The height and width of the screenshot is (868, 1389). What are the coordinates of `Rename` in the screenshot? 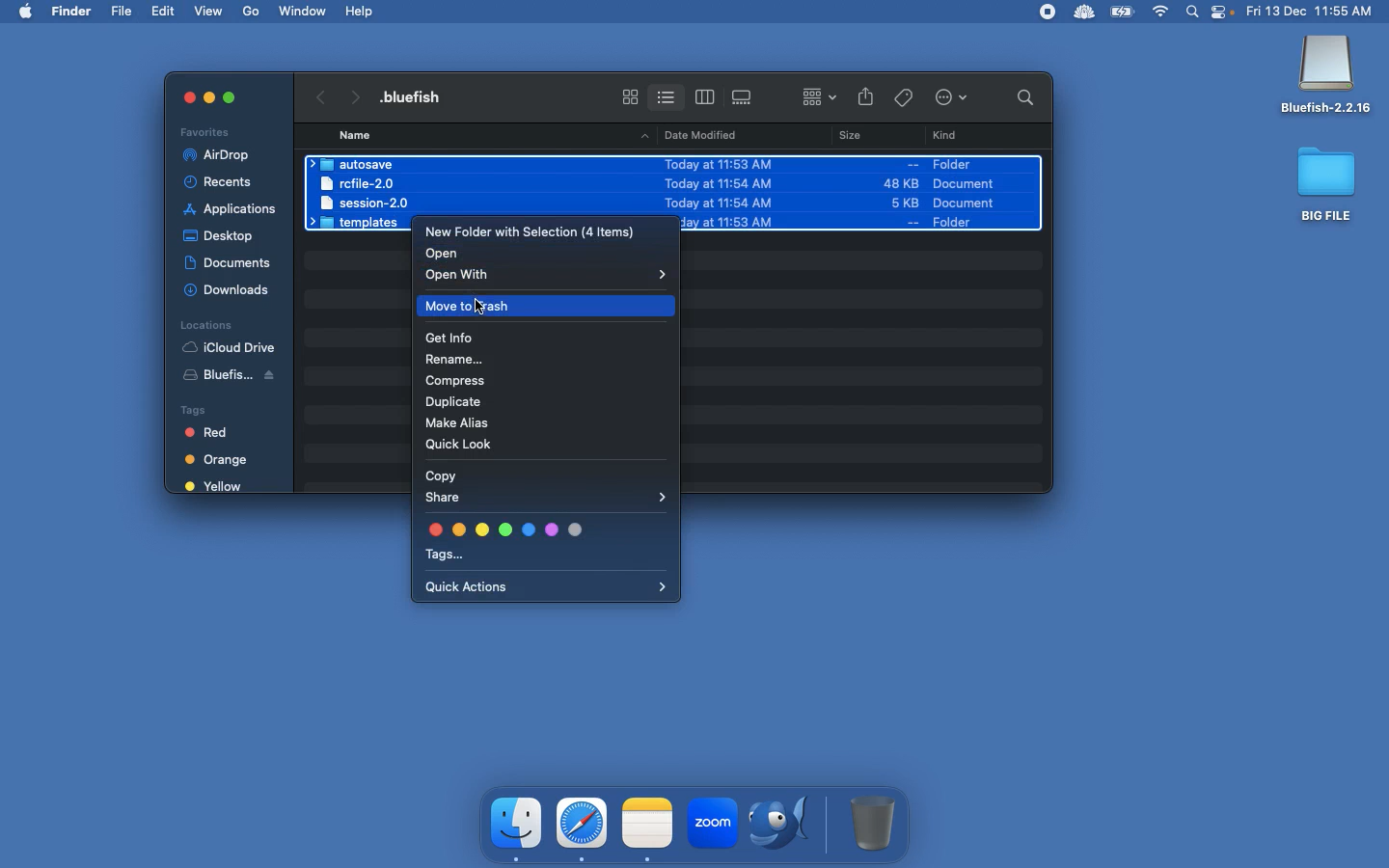 It's located at (458, 362).